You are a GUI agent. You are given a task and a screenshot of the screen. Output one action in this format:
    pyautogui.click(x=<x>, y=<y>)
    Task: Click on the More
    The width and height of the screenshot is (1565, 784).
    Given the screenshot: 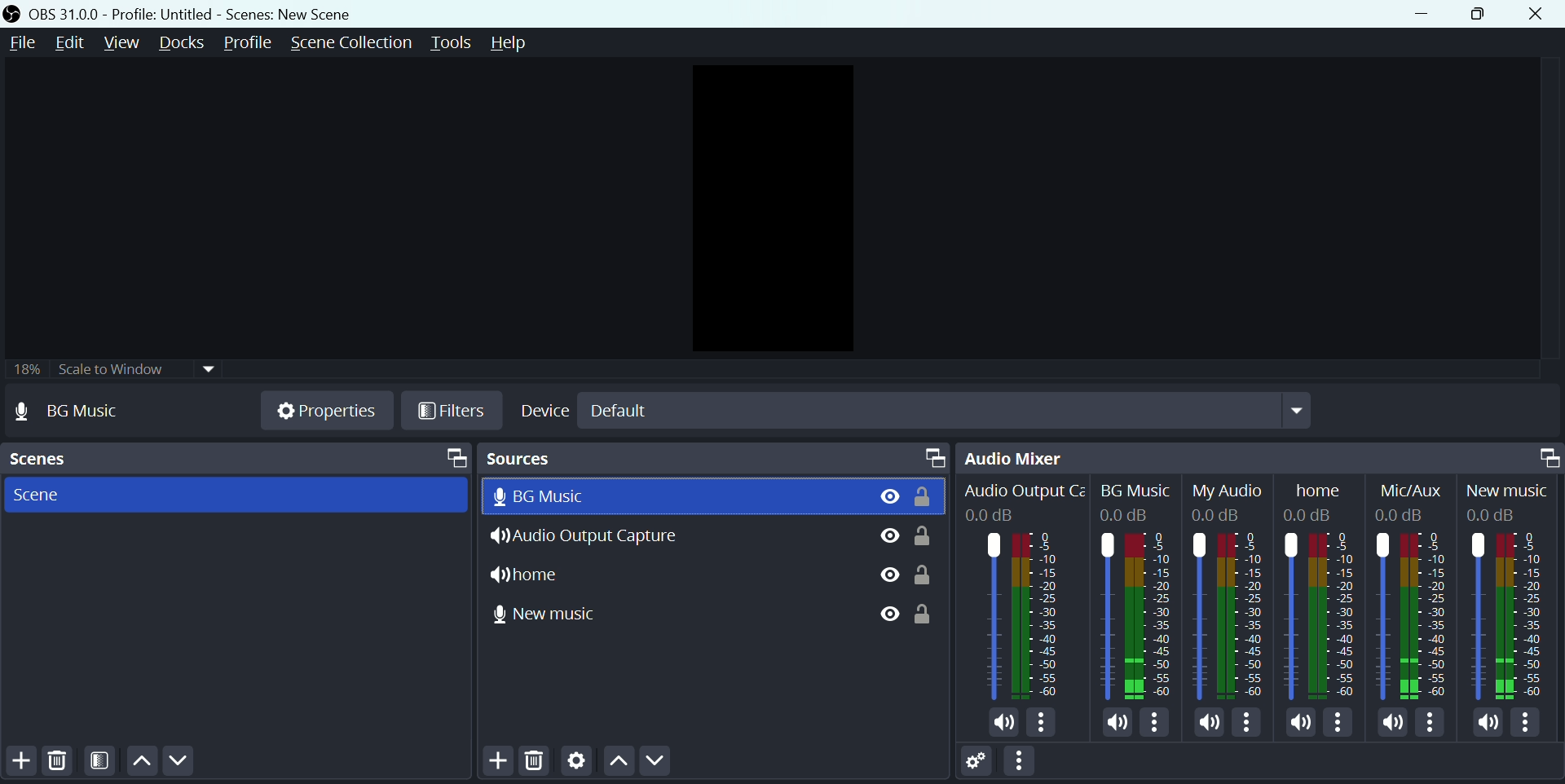 What is the action you would take?
    pyautogui.click(x=1249, y=724)
    